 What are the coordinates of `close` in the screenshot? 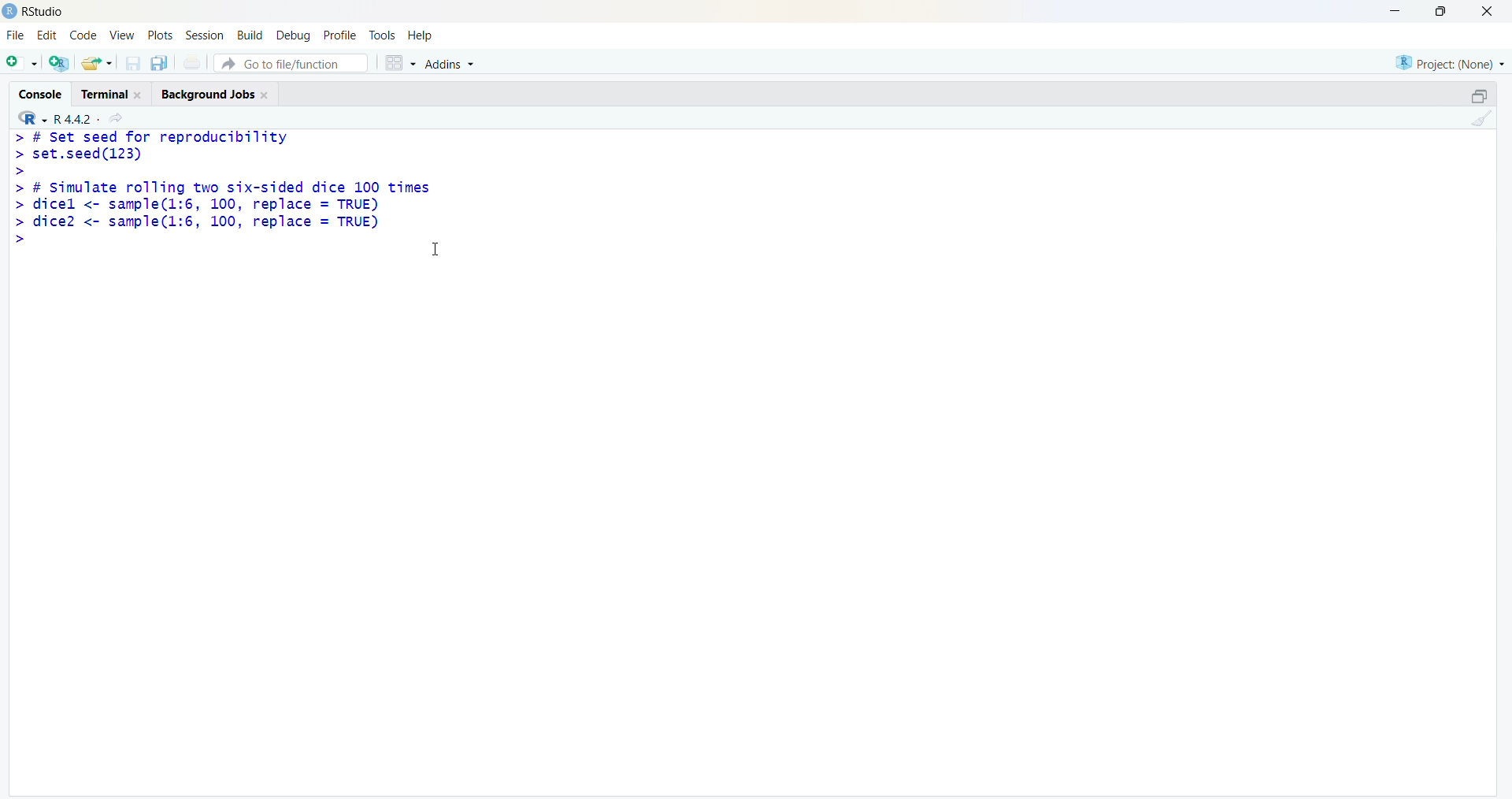 It's located at (1488, 10).